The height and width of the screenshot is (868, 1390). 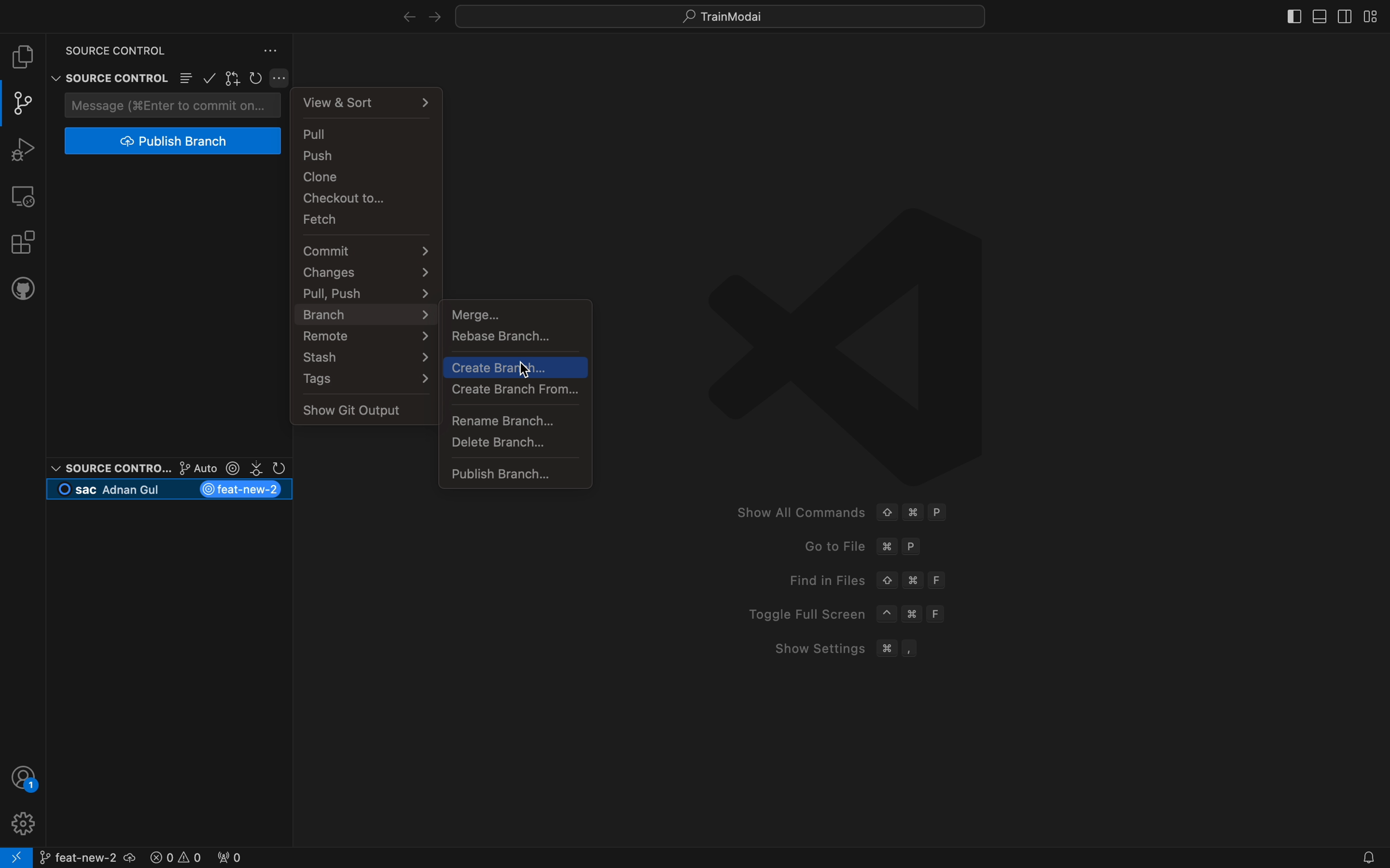 What do you see at coordinates (524, 371) in the screenshot?
I see `Cursor` at bounding box center [524, 371].